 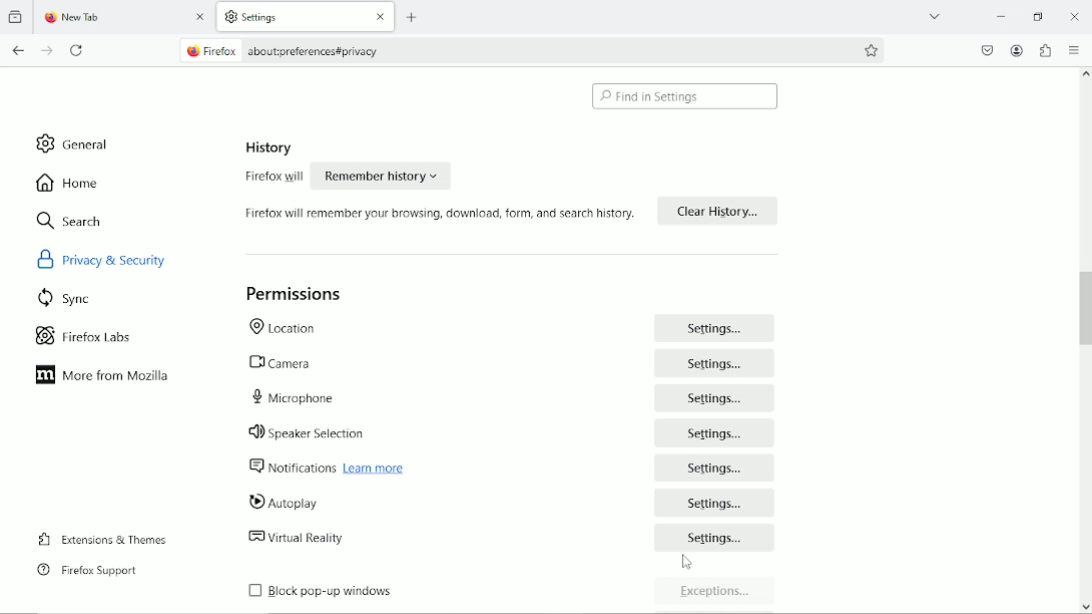 What do you see at coordinates (716, 363) in the screenshot?
I see `Settings...` at bounding box center [716, 363].